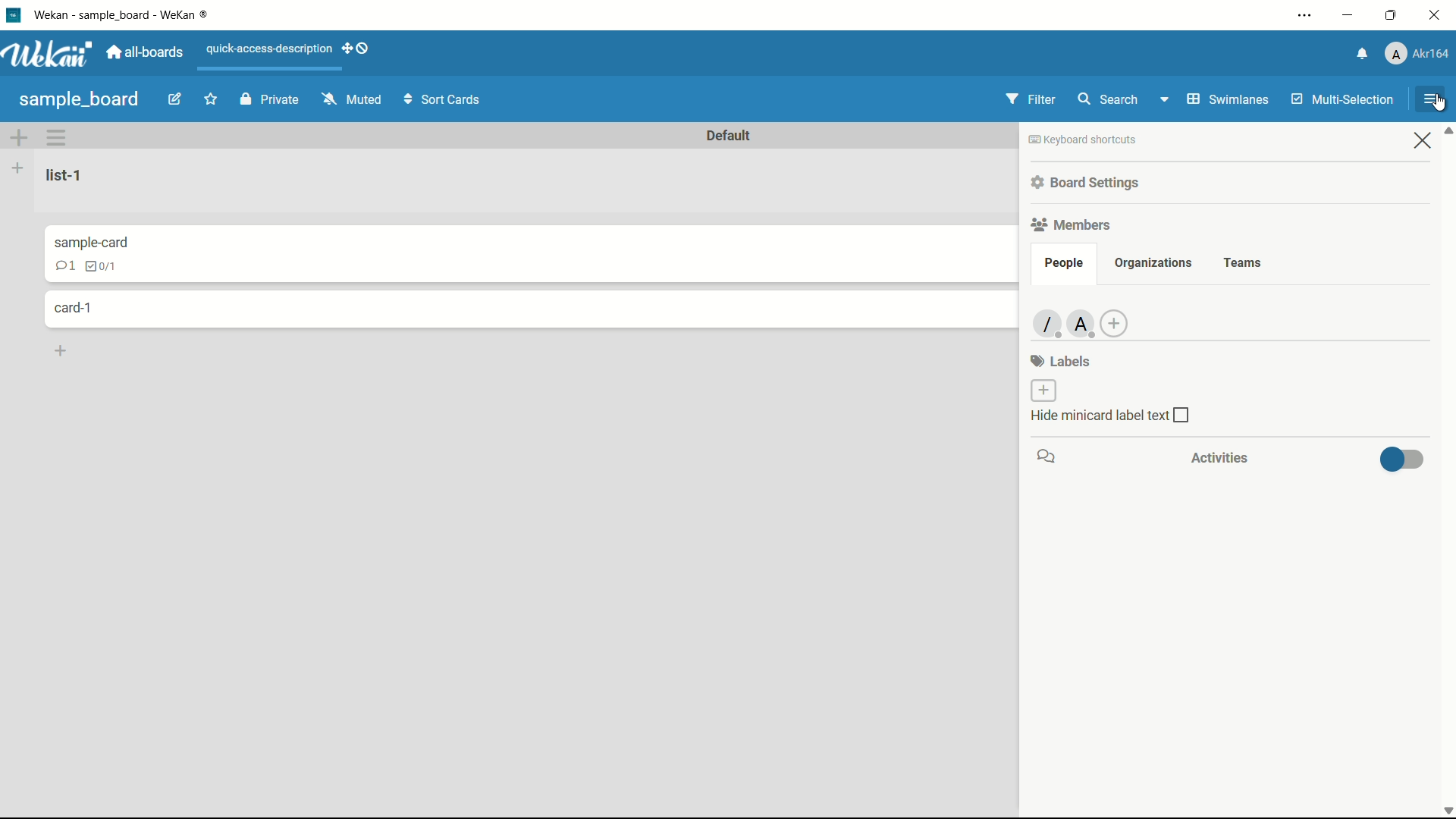  I want to click on activities, so click(1222, 458).